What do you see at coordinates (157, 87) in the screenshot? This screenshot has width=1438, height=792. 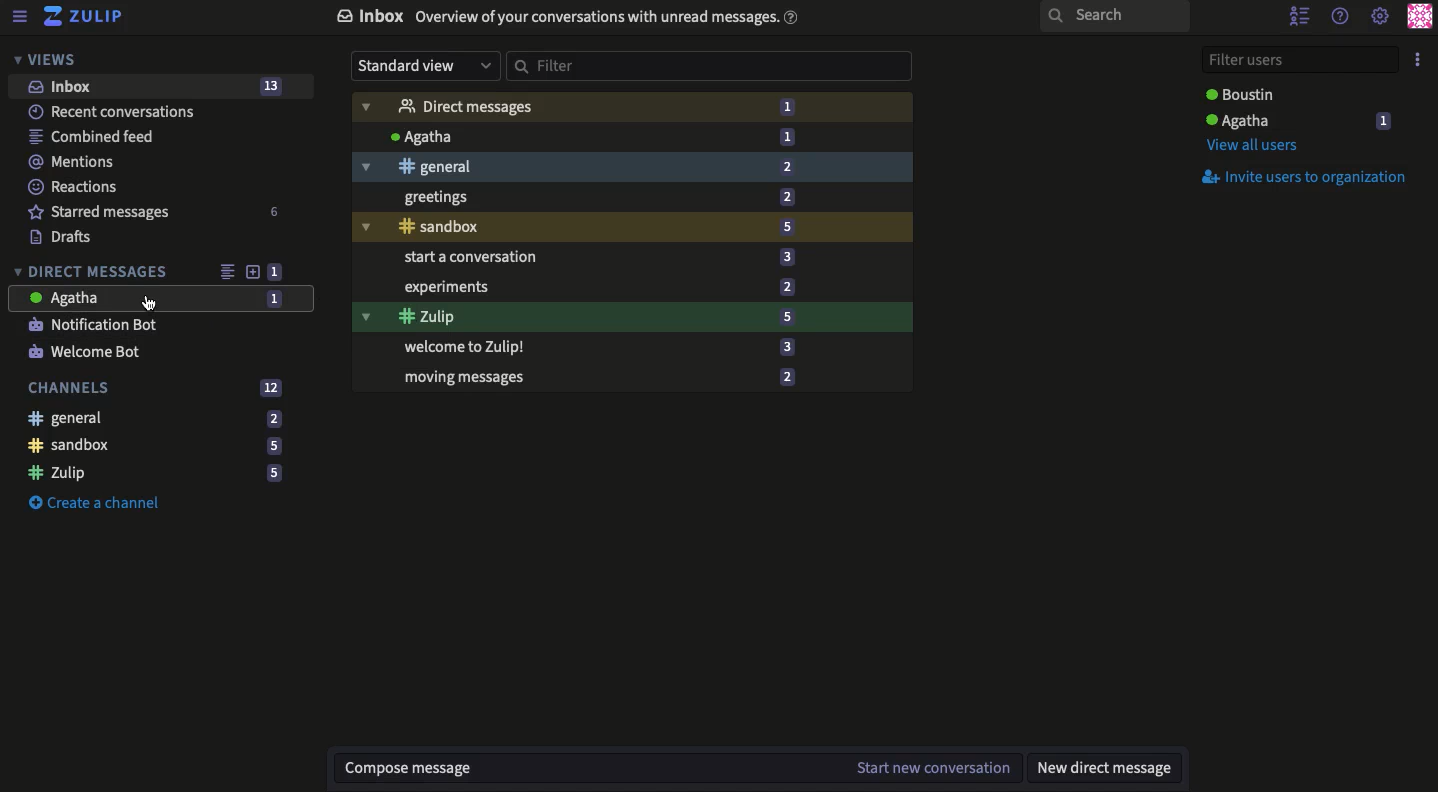 I see `Inbox` at bounding box center [157, 87].